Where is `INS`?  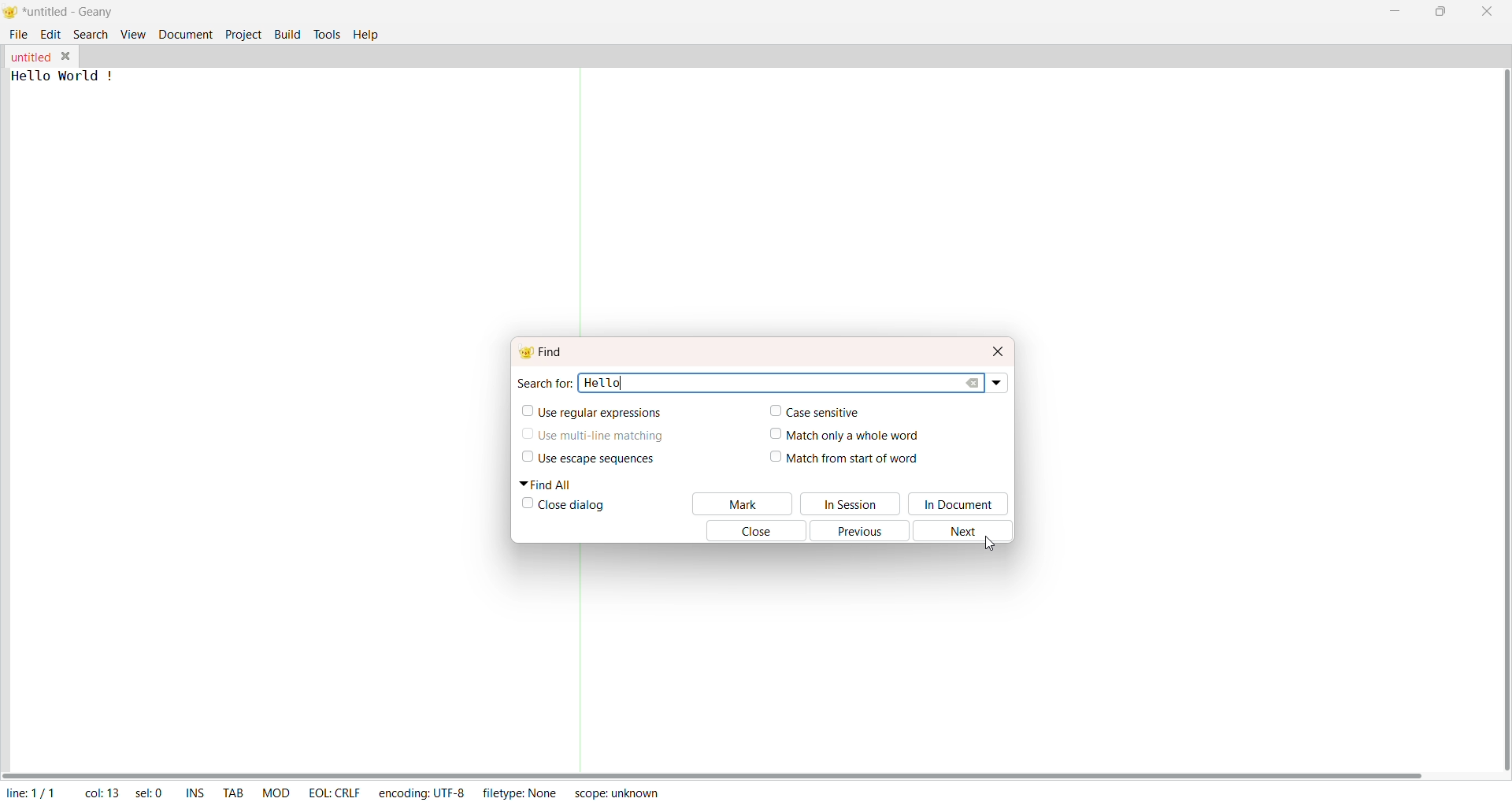
INS is located at coordinates (192, 791).